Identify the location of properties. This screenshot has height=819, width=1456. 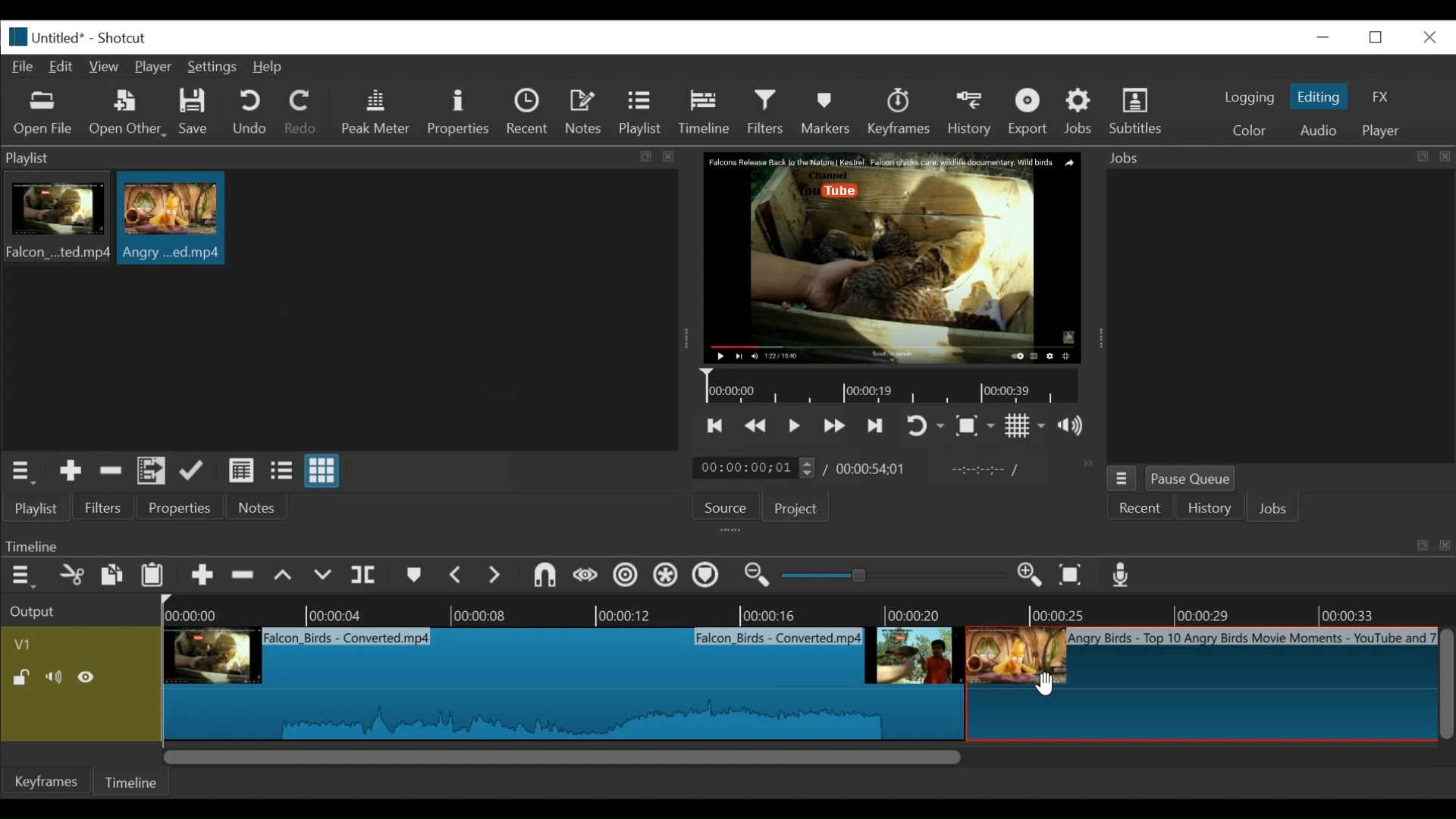
(181, 508).